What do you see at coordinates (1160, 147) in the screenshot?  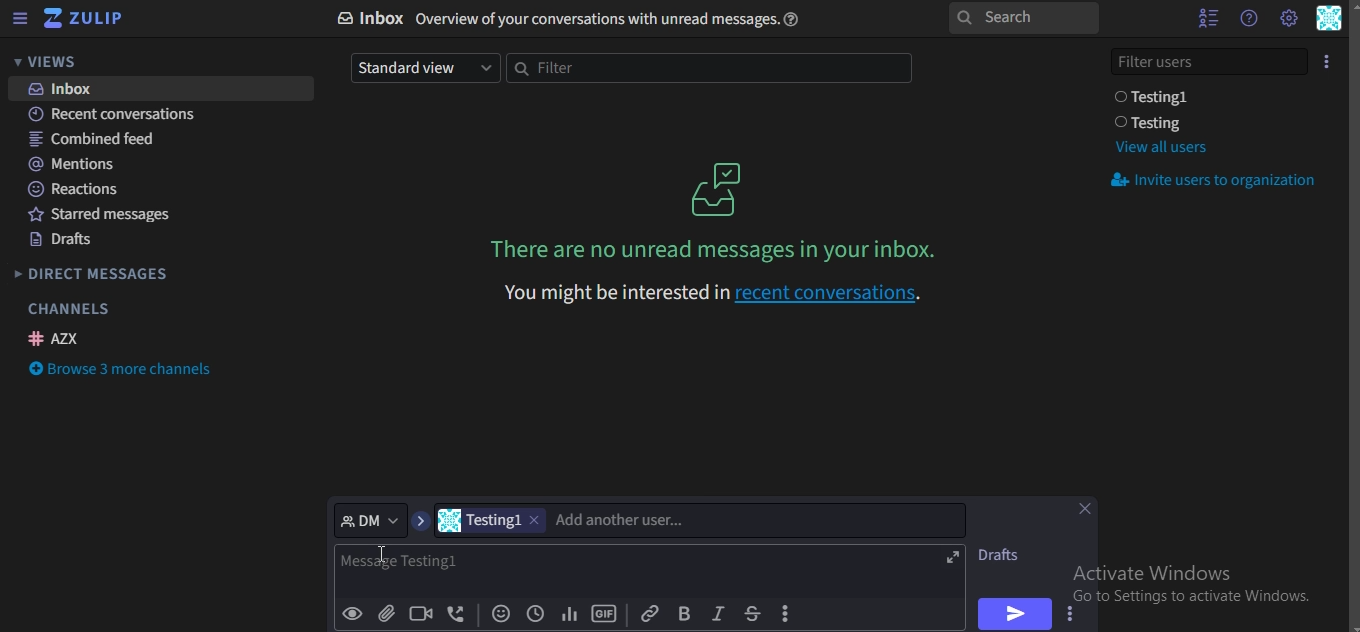 I see `view all users` at bounding box center [1160, 147].